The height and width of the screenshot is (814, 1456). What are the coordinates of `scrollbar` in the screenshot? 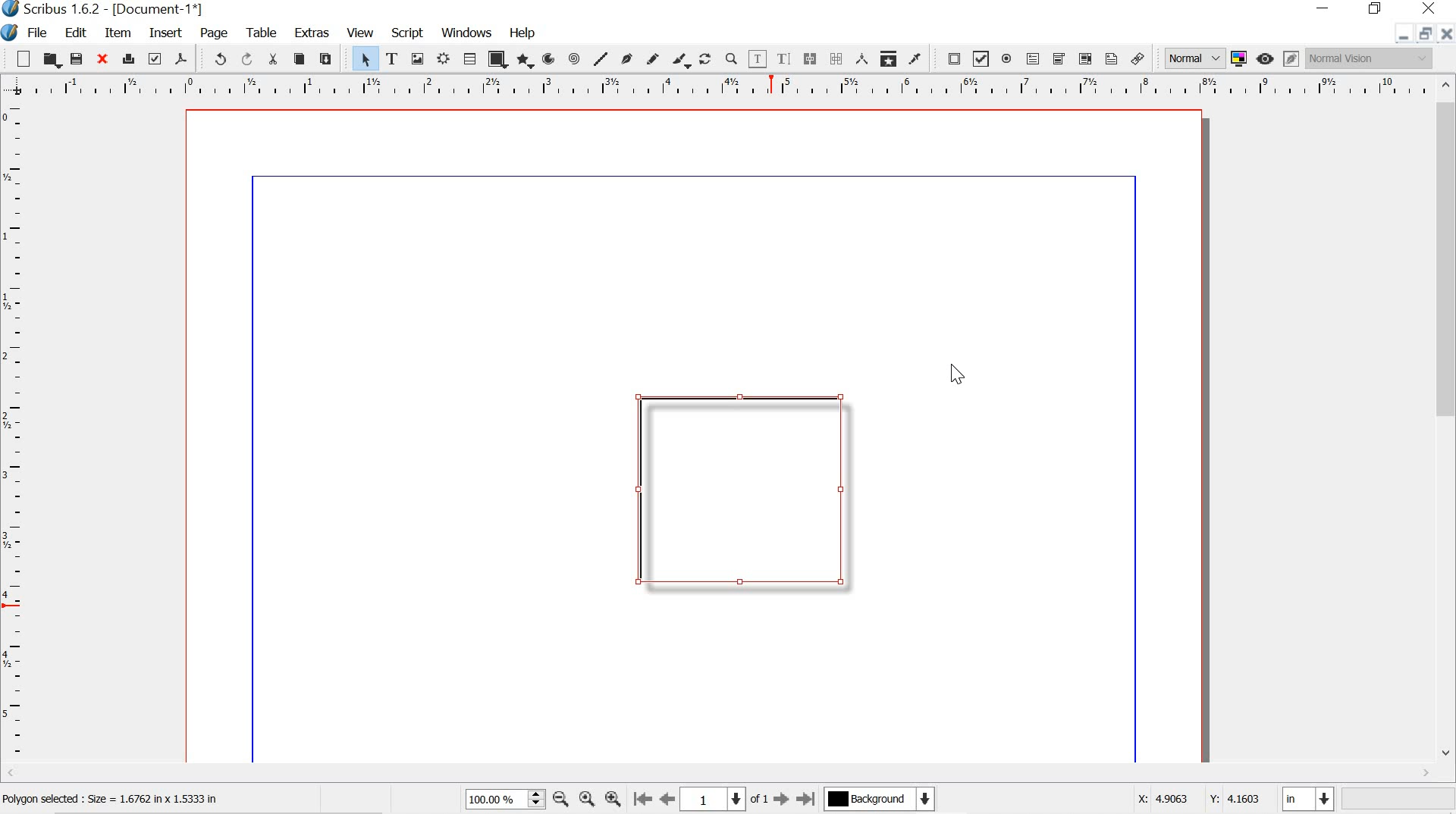 It's located at (1447, 418).